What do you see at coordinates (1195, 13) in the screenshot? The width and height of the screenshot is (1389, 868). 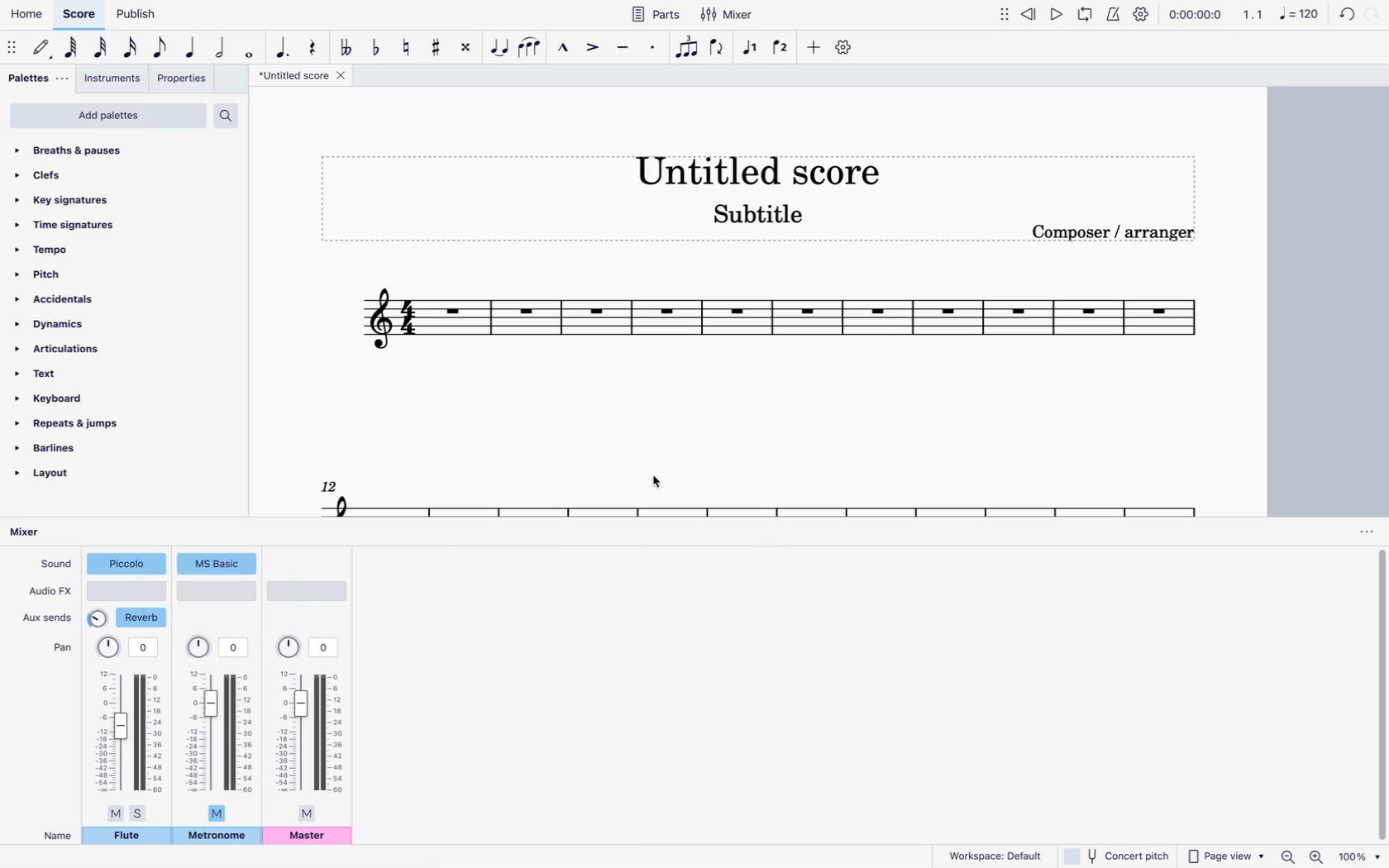 I see `time` at bounding box center [1195, 13].